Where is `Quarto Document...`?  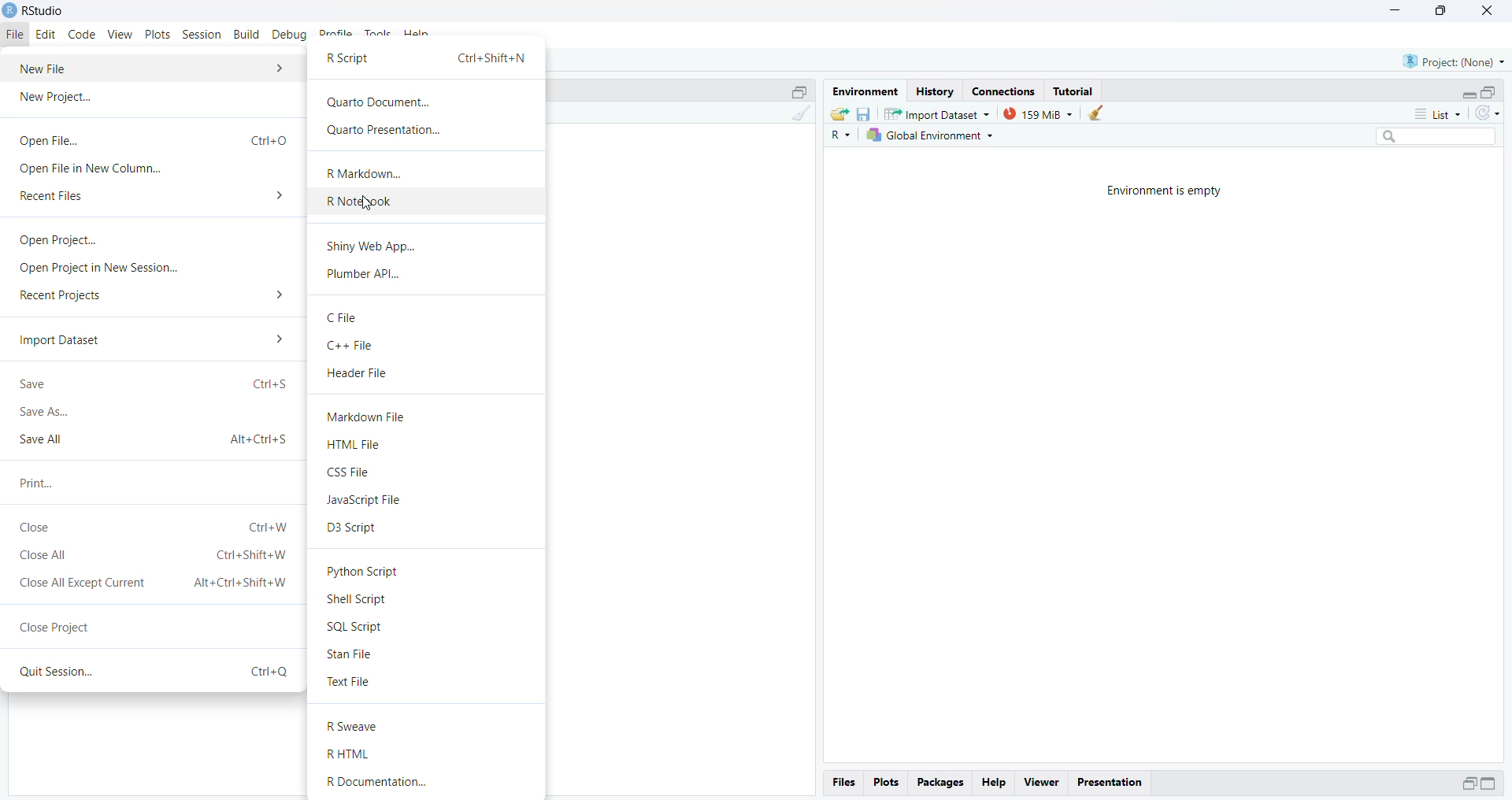
Quarto Document... is located at coordinates (380, 103).